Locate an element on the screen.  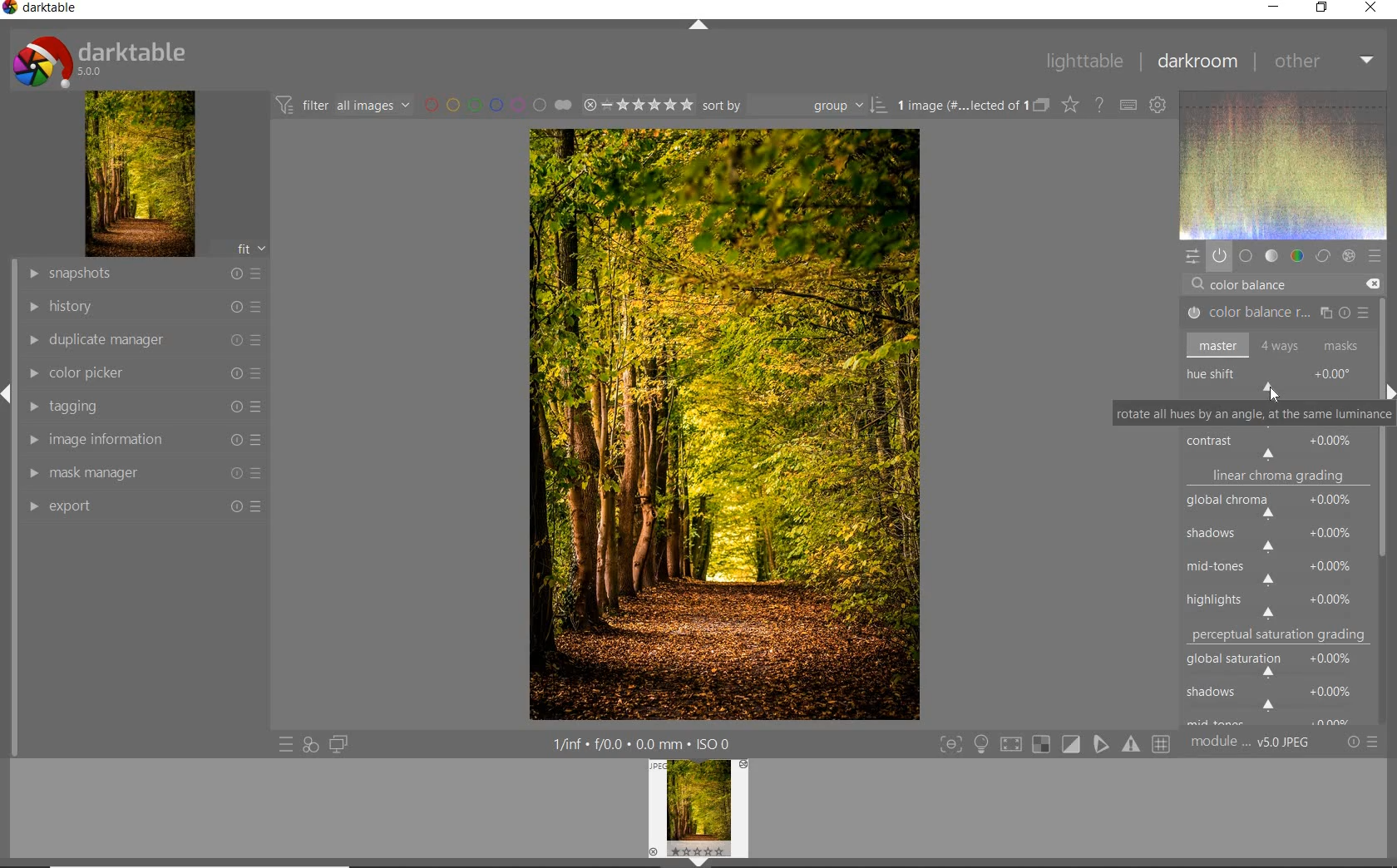
show global preference is located at coordinates (1159, 106).